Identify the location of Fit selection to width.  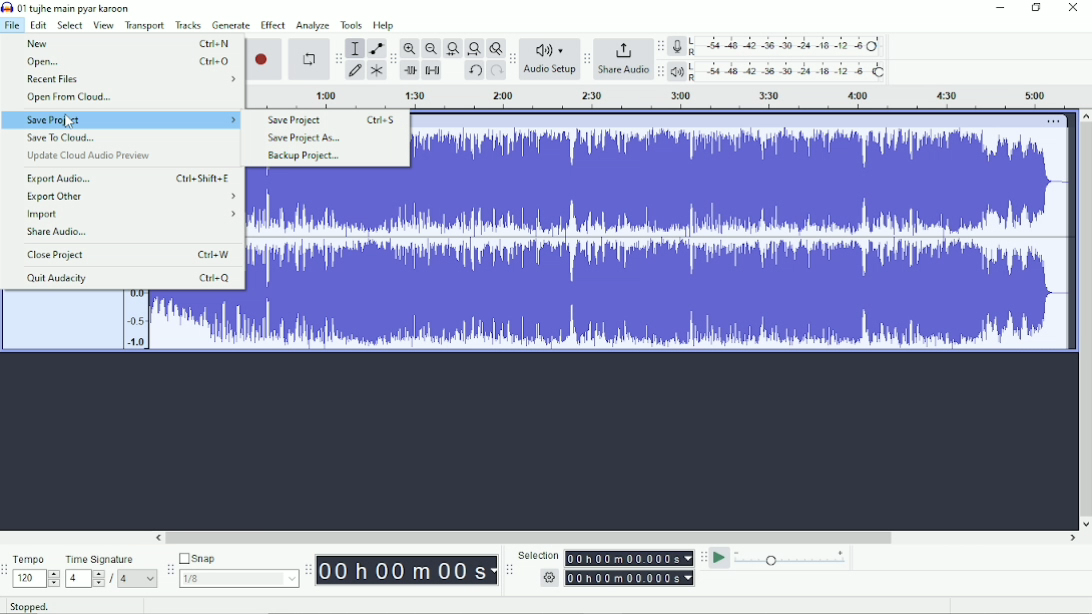
(453, 47).